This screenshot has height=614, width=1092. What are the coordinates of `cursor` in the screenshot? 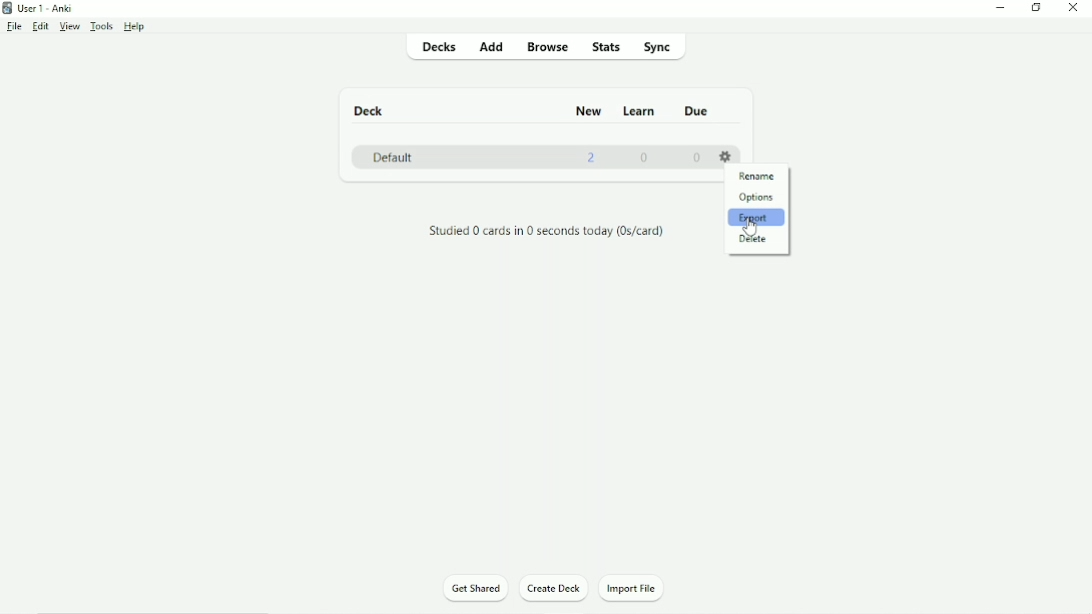 It's located at (755, 223).